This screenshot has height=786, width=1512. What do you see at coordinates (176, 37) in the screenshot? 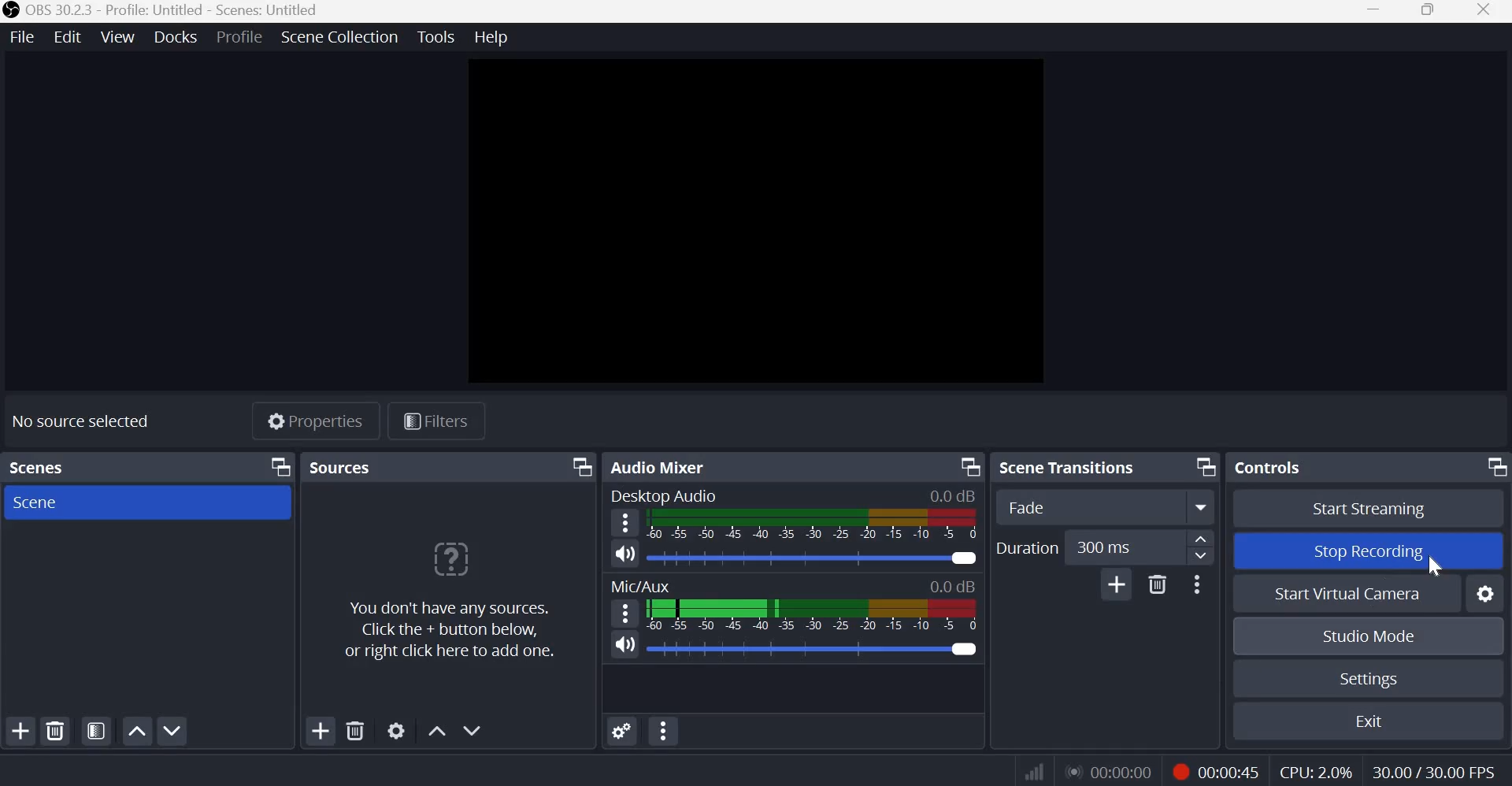
I see `Docks` at bounding box center [176, 37].